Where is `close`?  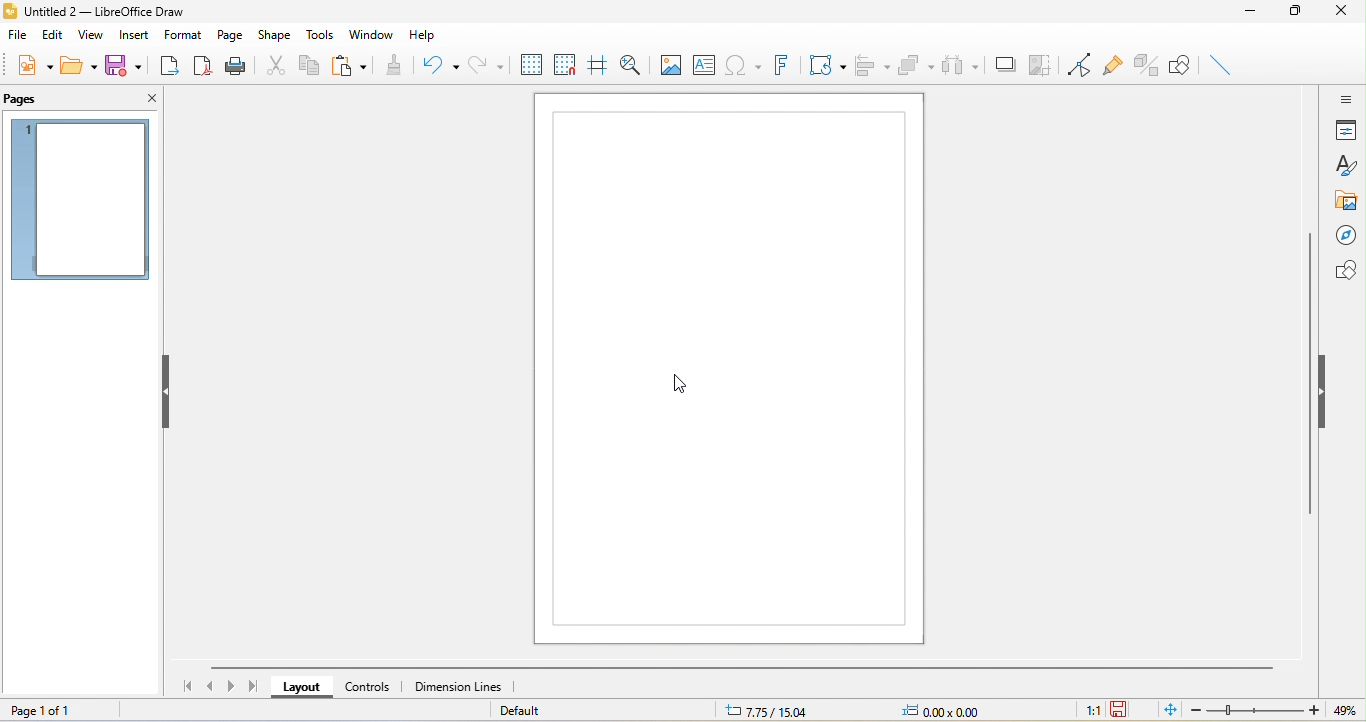
close is located at coordinates (1344, 13).